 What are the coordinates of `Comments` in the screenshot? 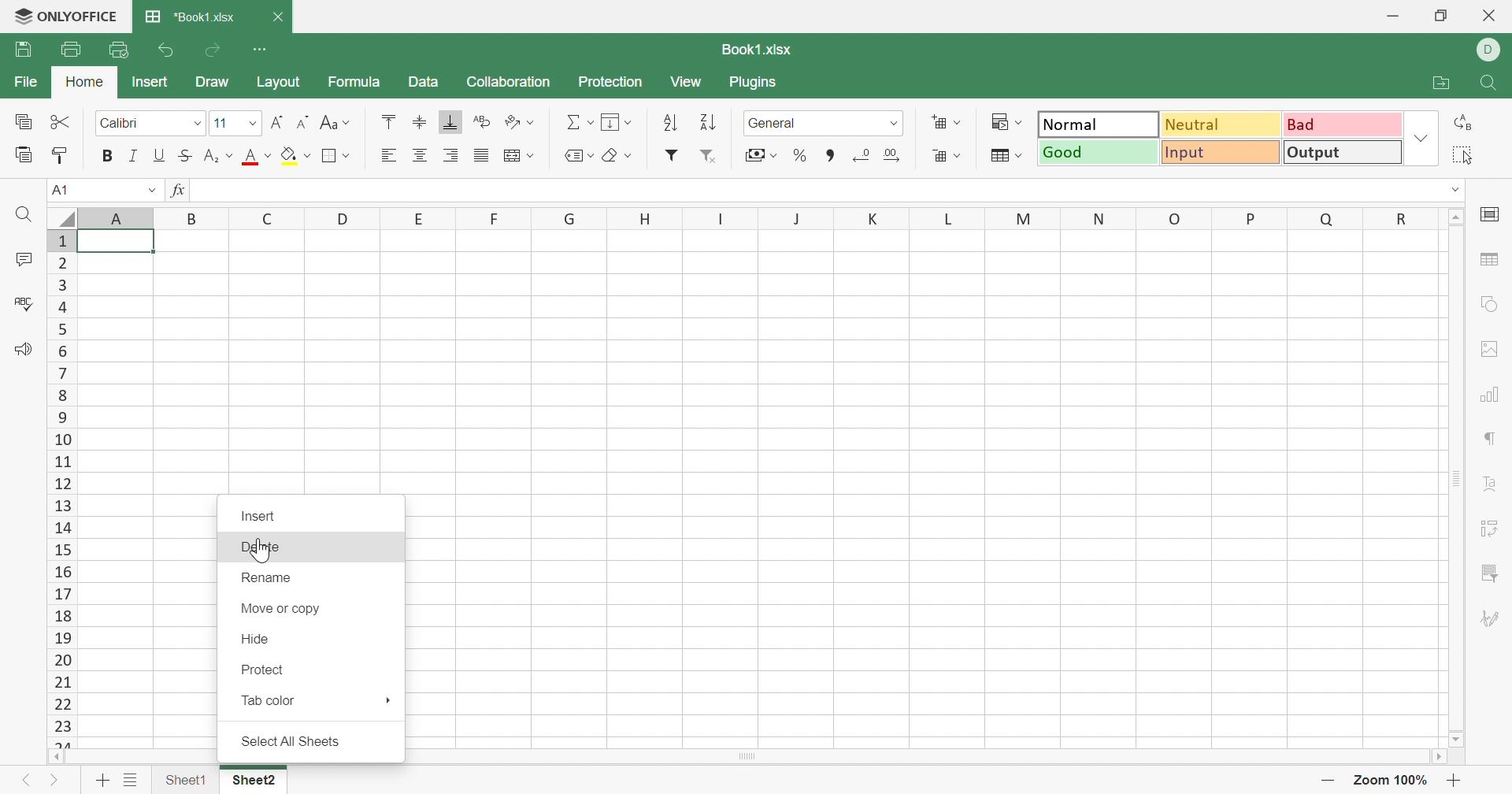 It's located at (24, 258).